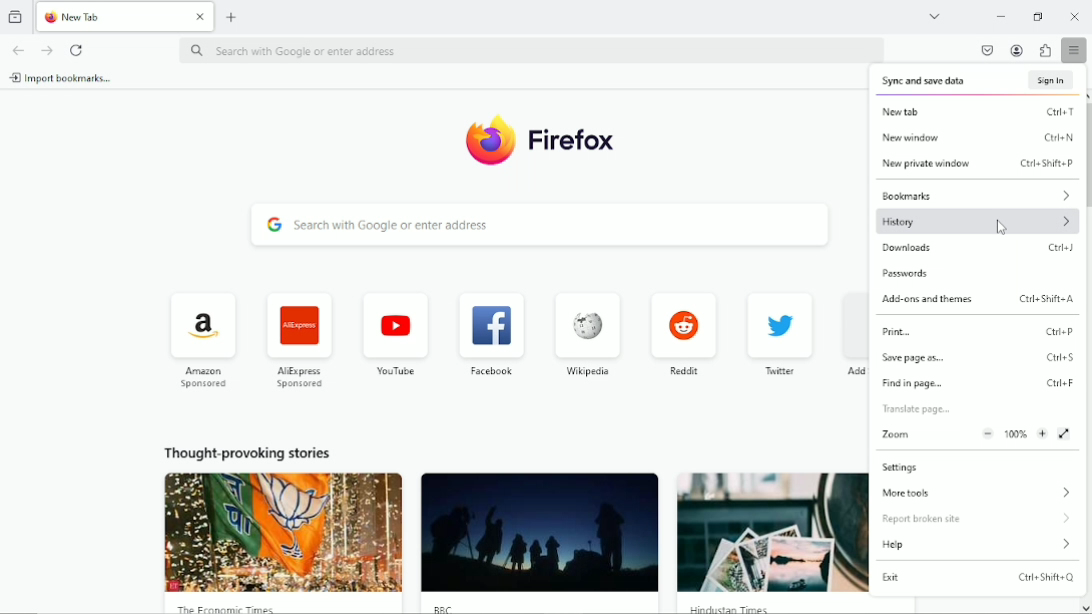  Describe the element at coordinates (46, 50) in the screenshot. I see `Go forward` at that location.